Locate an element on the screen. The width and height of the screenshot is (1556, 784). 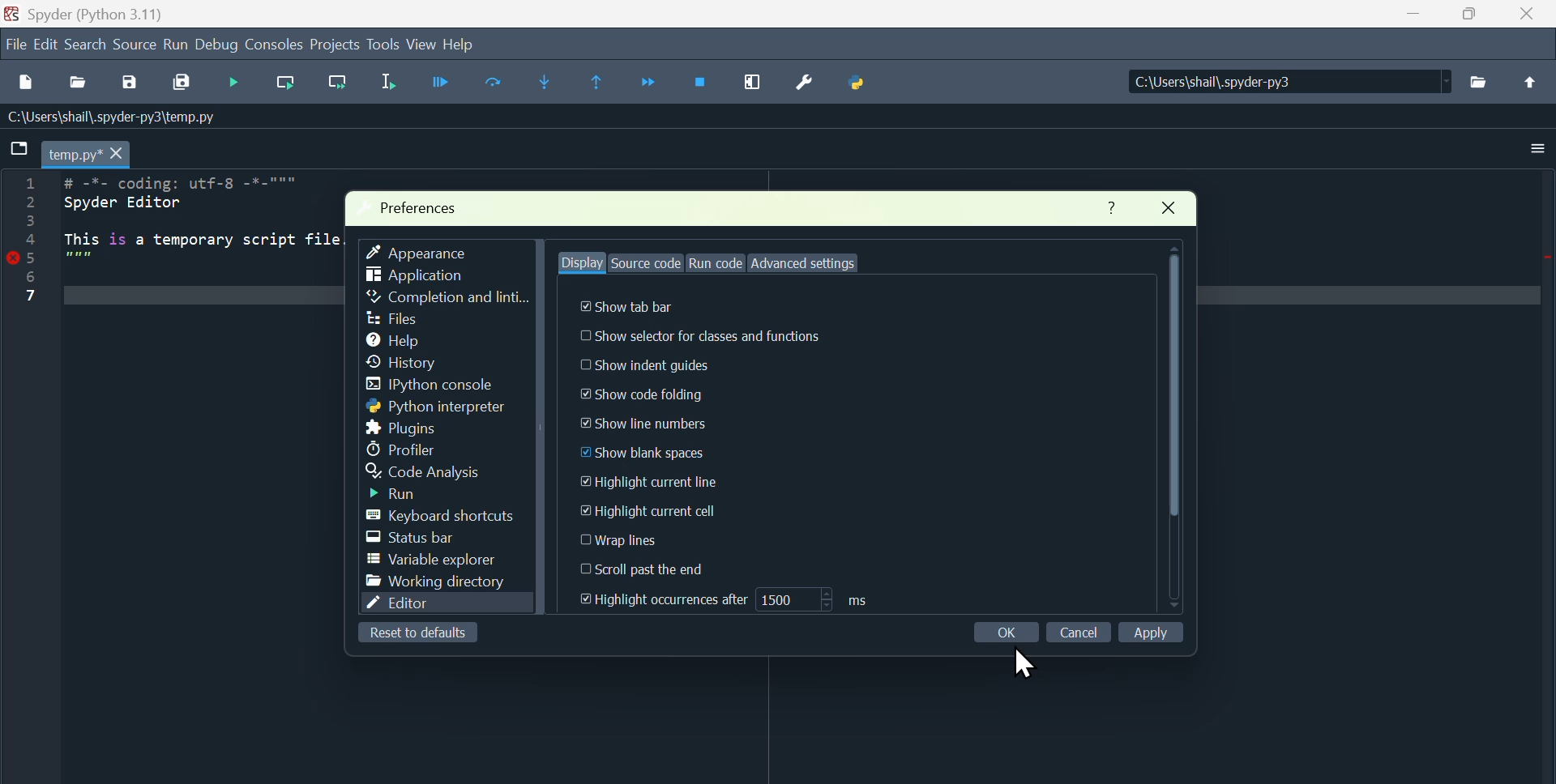
Application is located at coordinates (421, 273).